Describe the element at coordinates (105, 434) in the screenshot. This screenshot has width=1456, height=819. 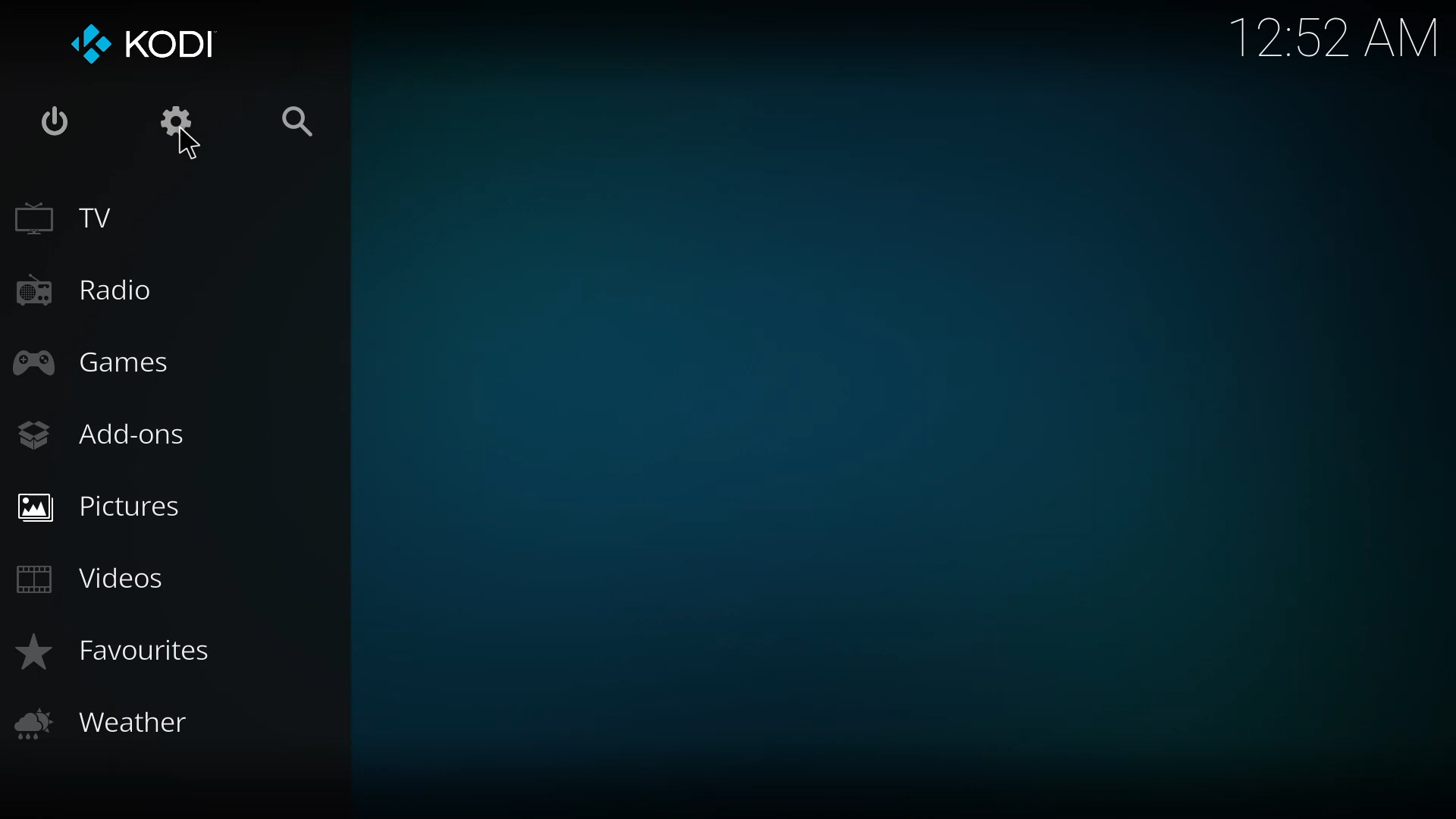
I see `add-ons` at that location.